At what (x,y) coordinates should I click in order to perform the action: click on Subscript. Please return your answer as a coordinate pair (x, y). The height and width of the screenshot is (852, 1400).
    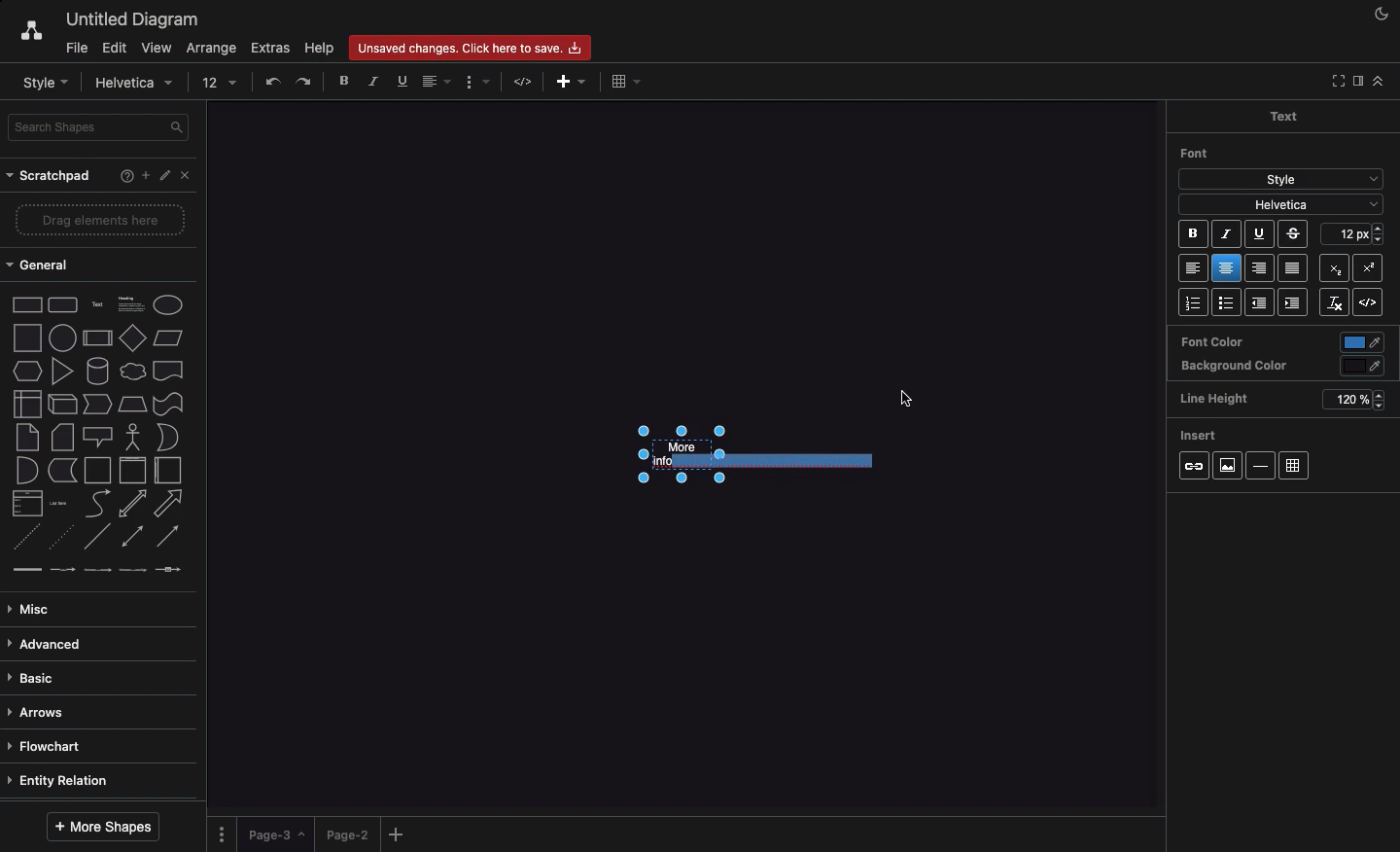
    Looking at the image, I should click on (1371, 266).